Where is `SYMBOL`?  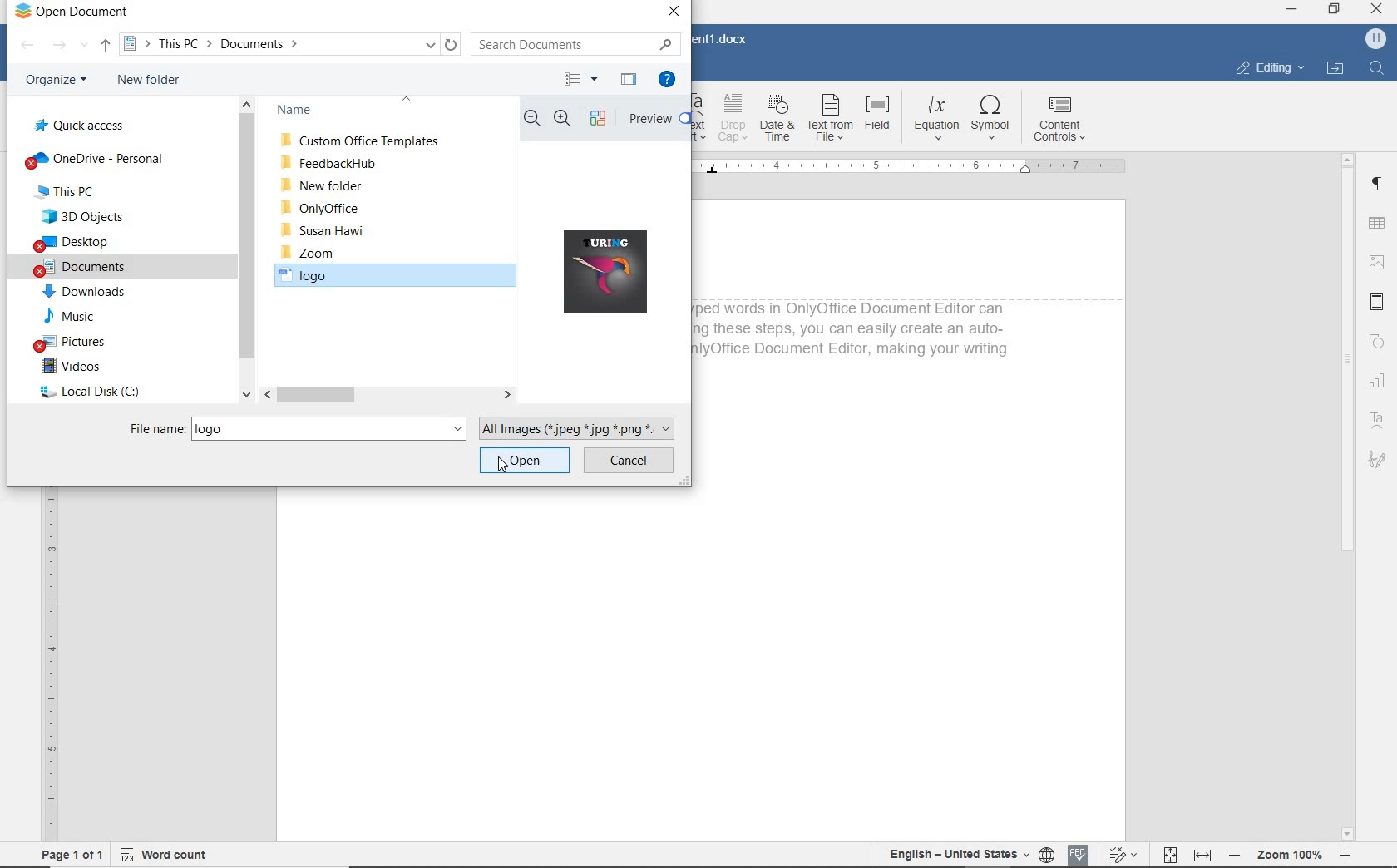
SYMBOL is located at coordinates (992, 121).